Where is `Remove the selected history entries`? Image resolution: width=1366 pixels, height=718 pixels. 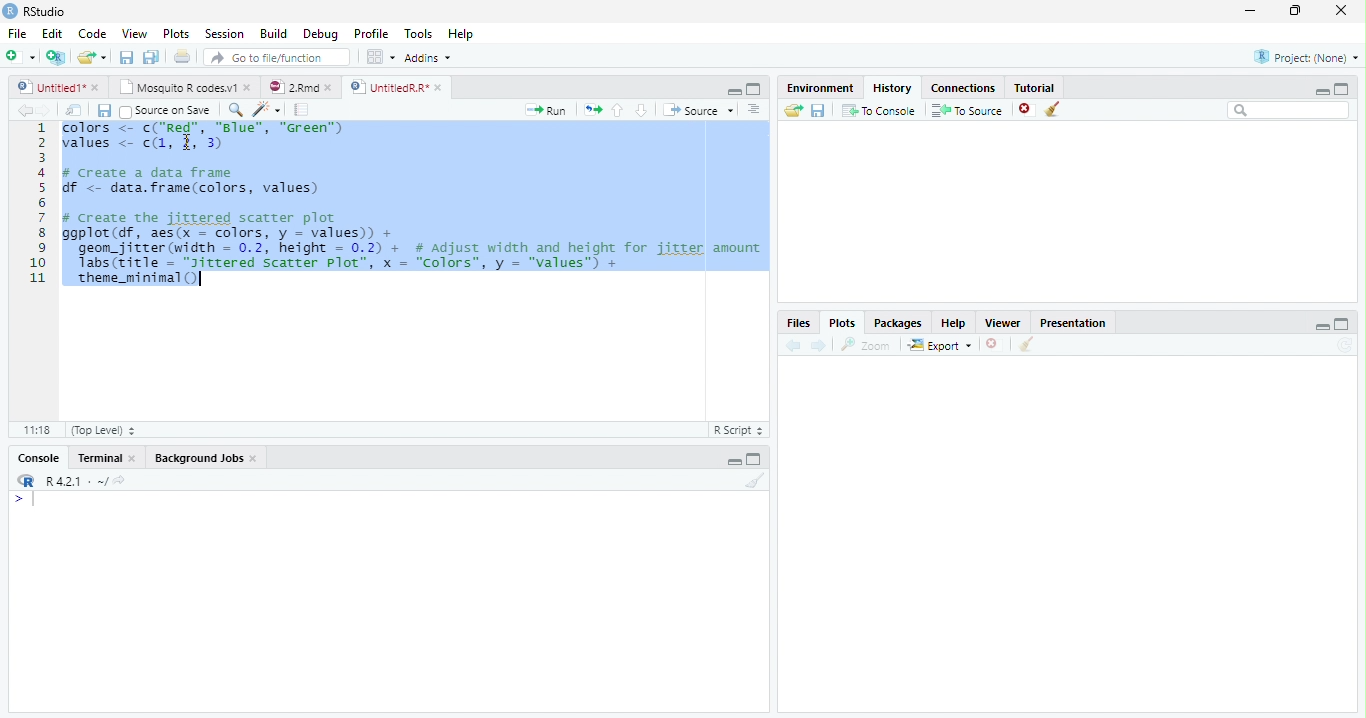
Remove the selected history entries is located at coordinates (1027, 110).